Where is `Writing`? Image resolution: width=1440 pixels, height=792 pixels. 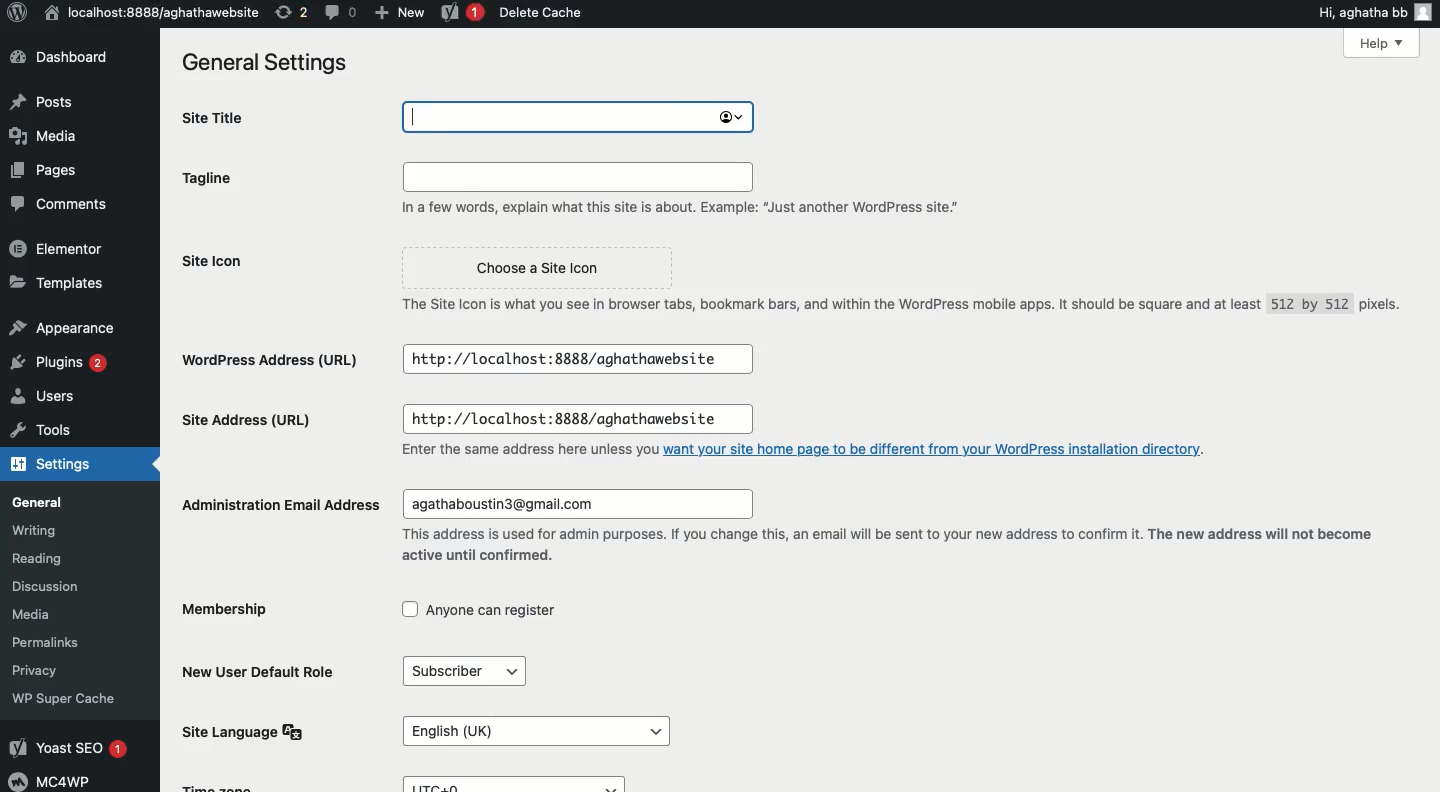
Writing is located at coordinates (33, 532).